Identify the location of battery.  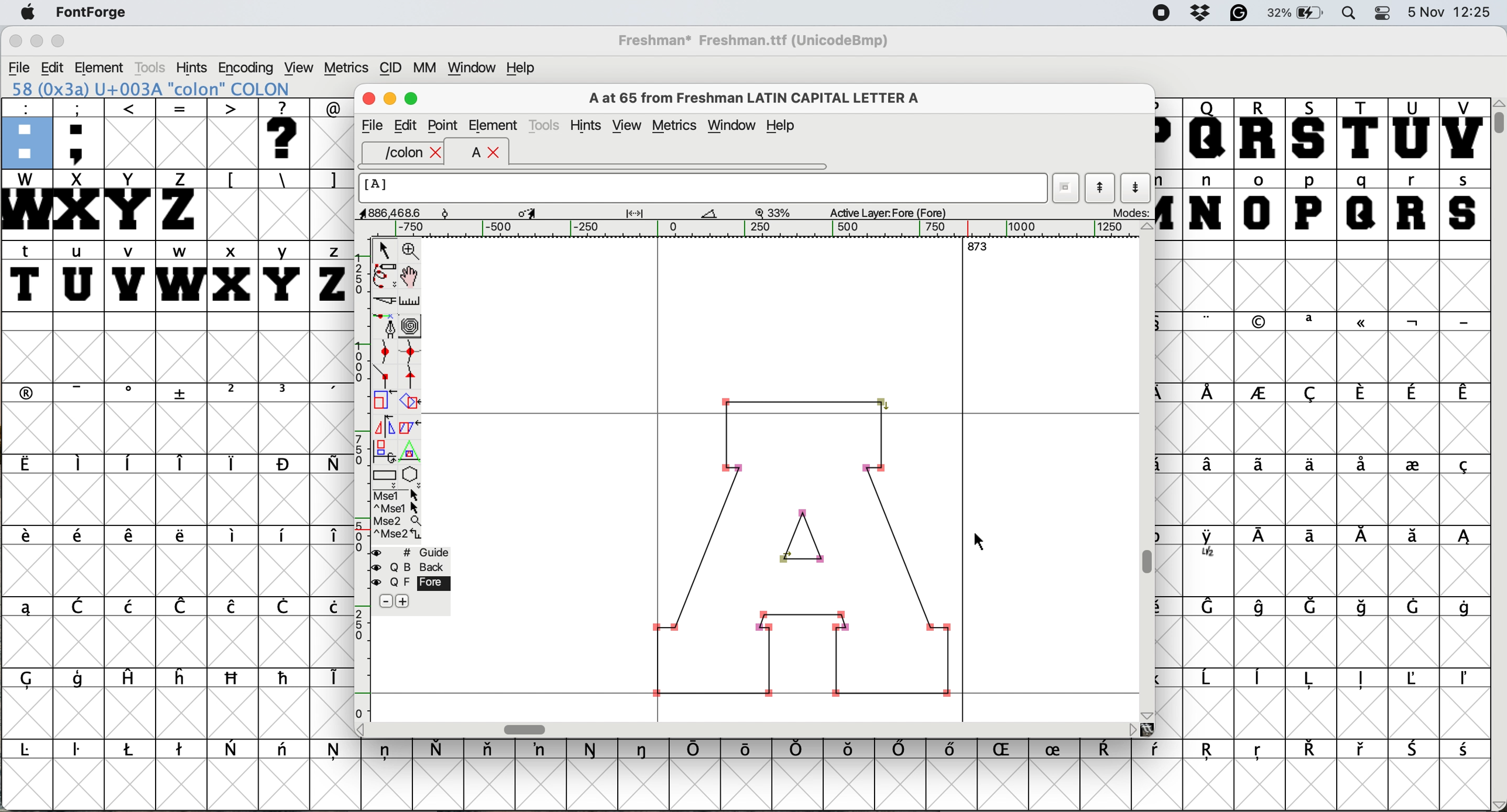
(1298, 13).